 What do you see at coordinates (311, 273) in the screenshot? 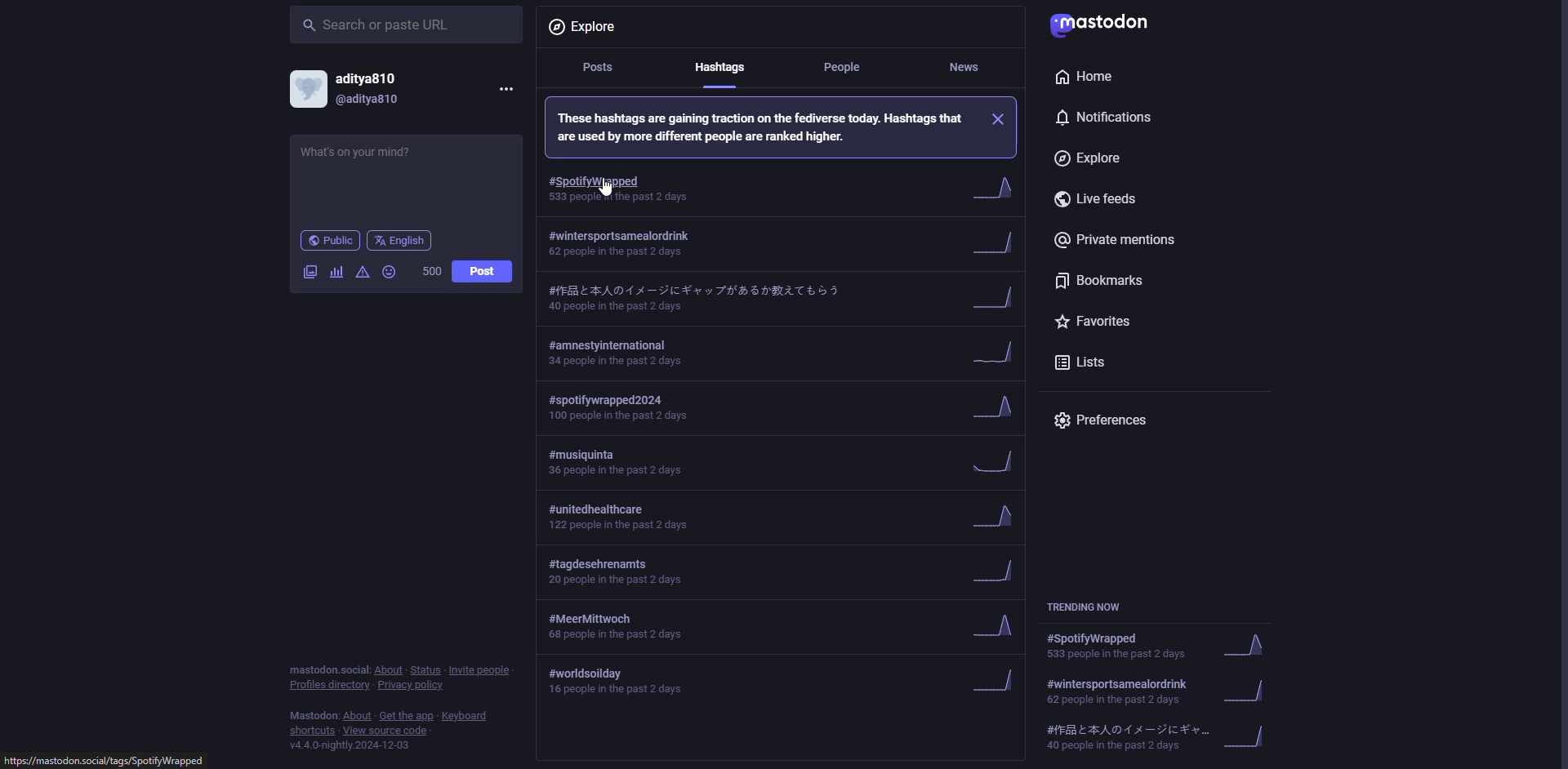
I see `image` at bounding box center [311, 273].